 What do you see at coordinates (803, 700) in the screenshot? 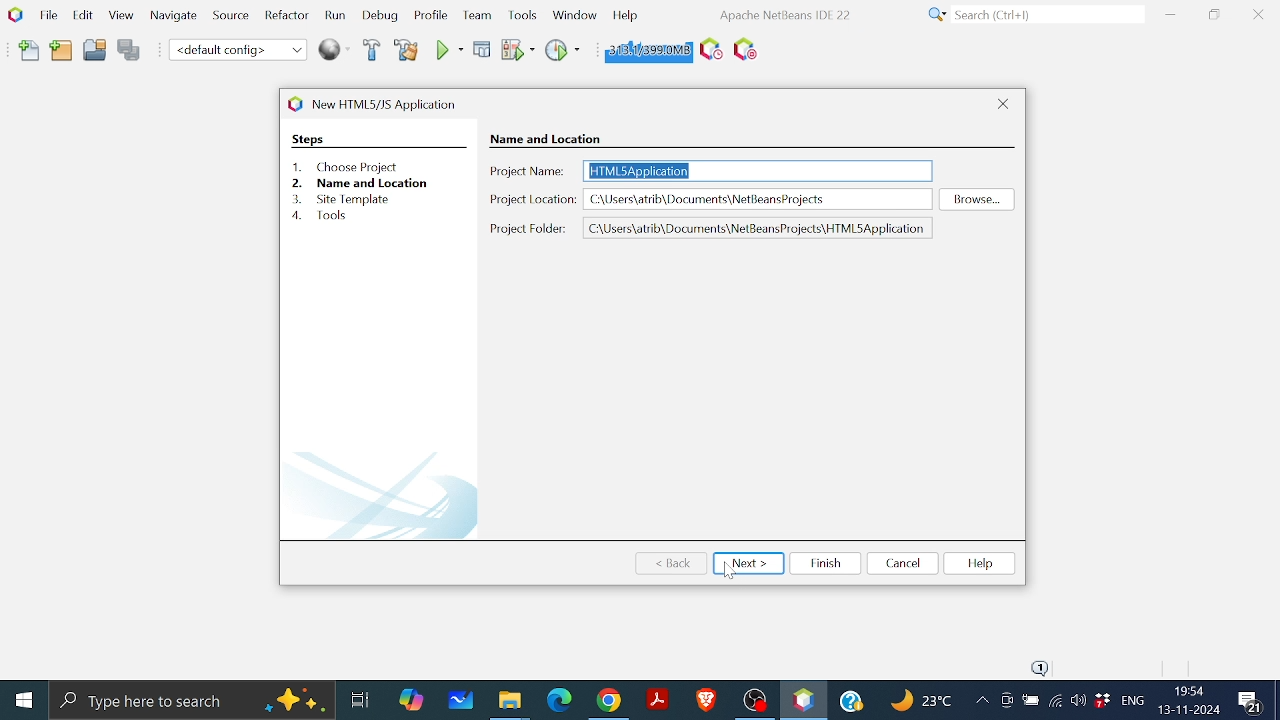
I see `Netbeans` at bounding box center [803, 700].